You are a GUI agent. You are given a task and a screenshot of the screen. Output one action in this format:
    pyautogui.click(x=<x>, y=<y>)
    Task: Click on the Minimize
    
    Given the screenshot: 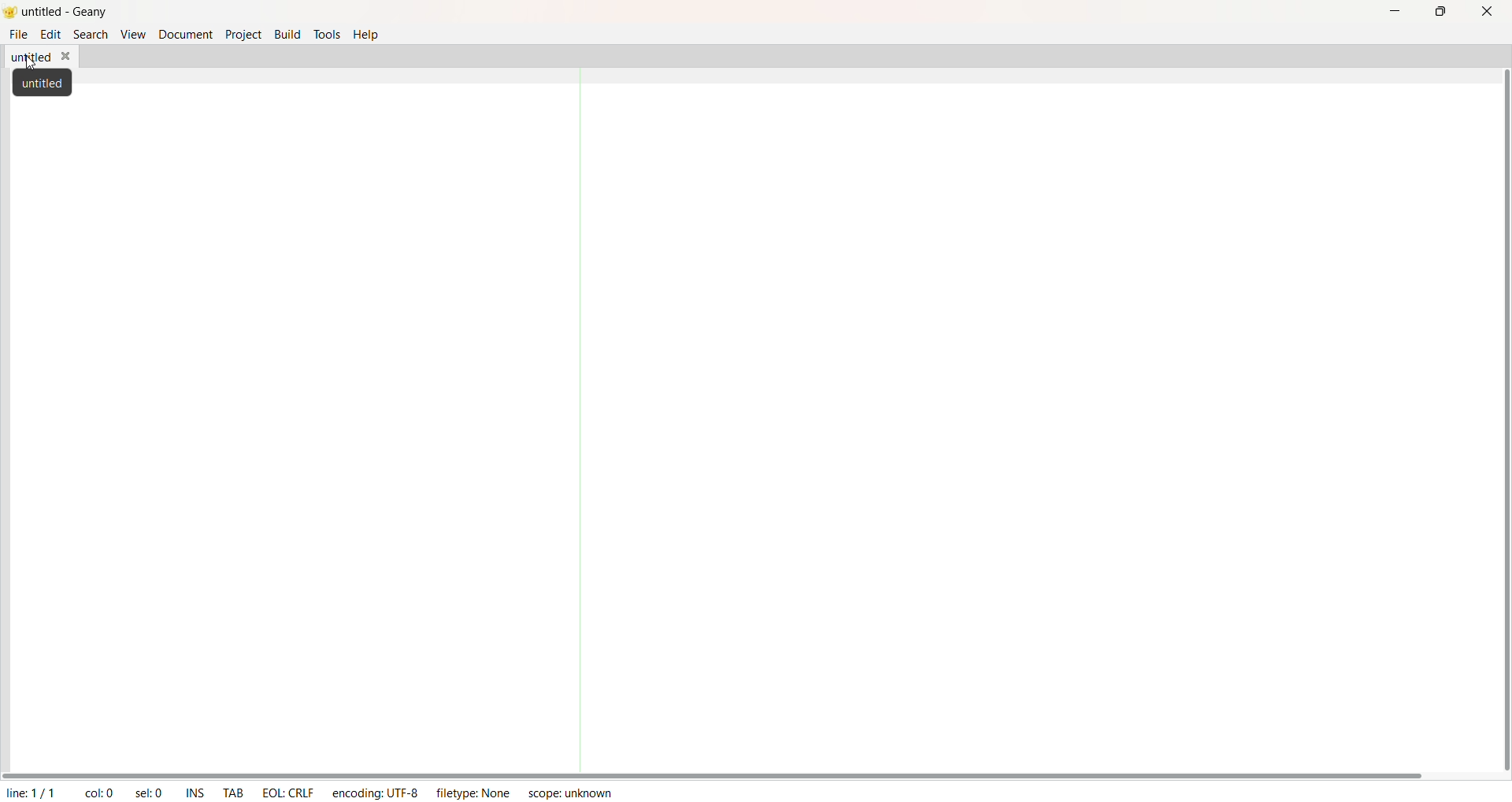 What is the action you would take?
    pyautogui.click(x=1397, y=13)
    